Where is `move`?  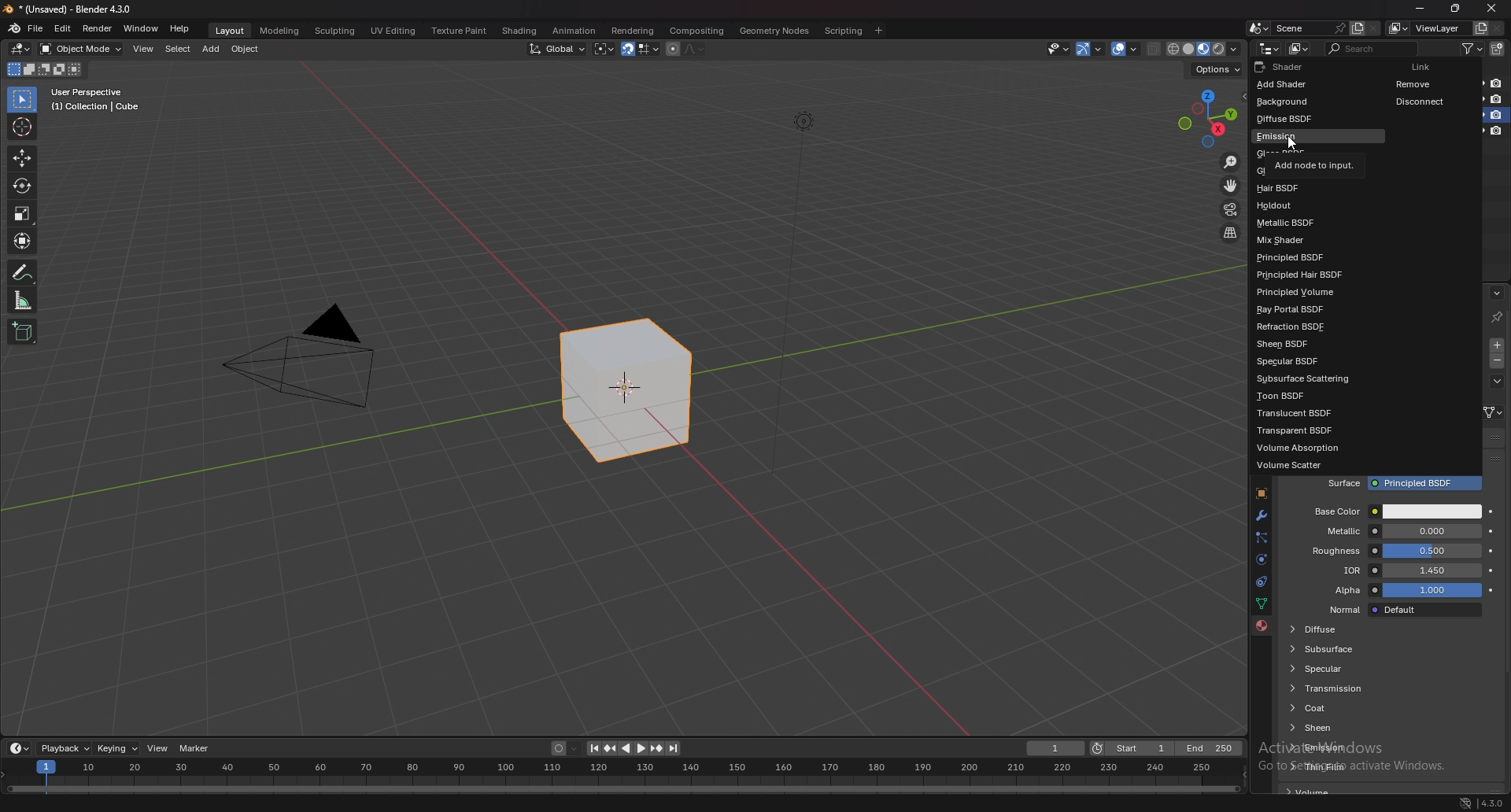
move is located at coordinates (21, 159).